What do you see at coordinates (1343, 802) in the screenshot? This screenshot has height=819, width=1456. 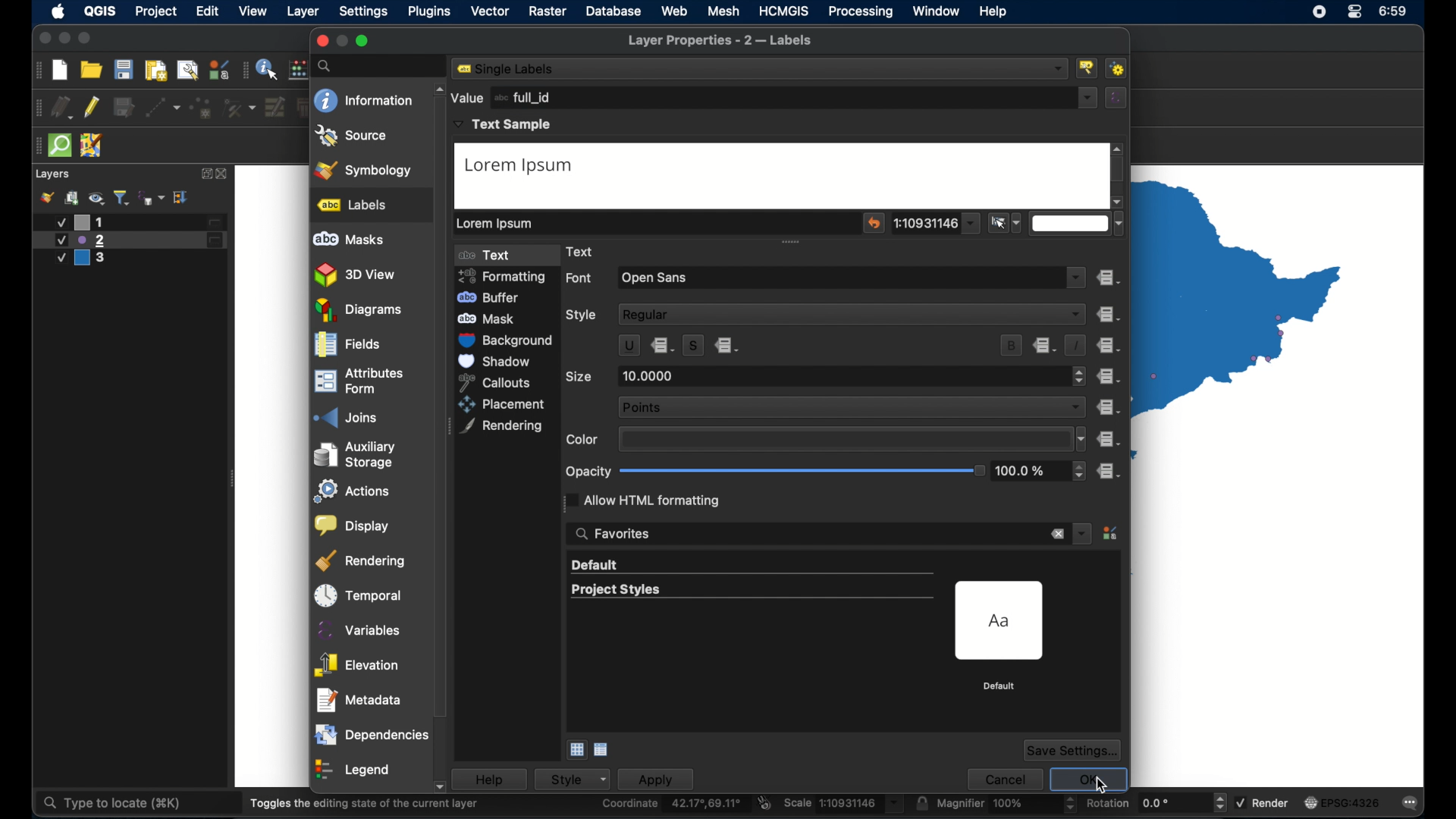 I see `current crs` at bounding box center [1343, 802].